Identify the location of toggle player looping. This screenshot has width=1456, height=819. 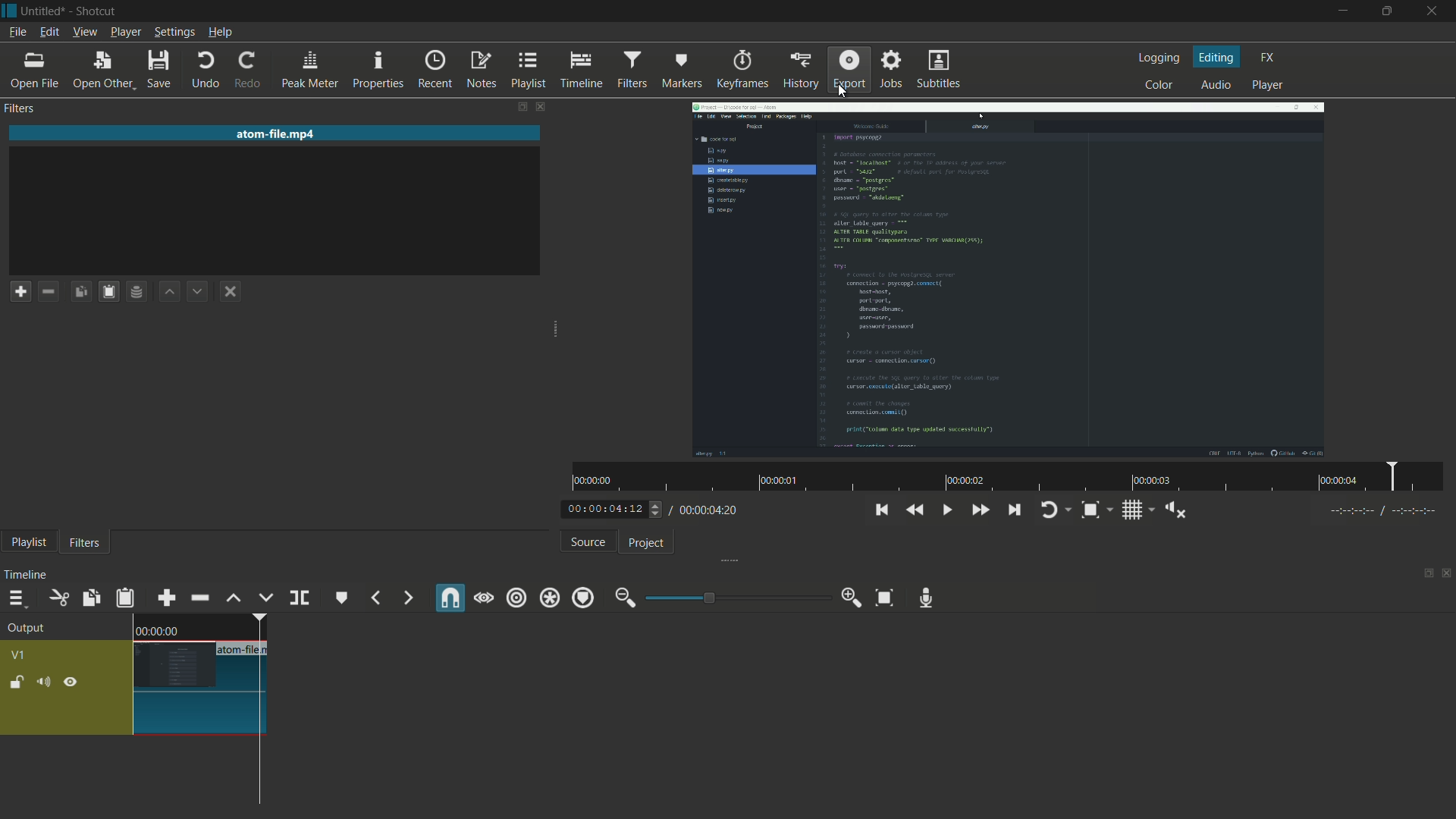
(1049, 511).